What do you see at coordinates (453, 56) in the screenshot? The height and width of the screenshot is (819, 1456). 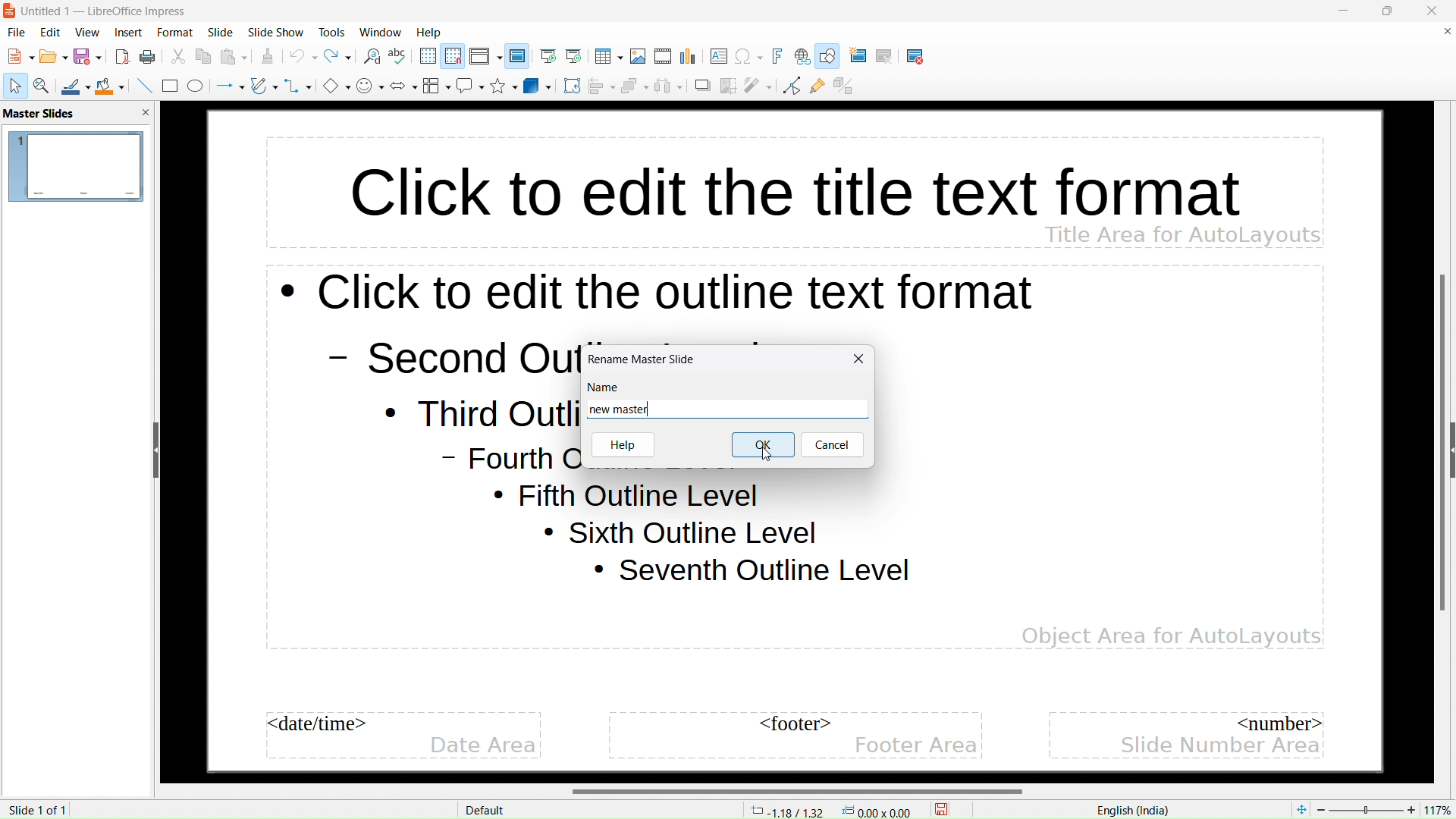 I see `snap to grid` at bounding box center [453, 56].